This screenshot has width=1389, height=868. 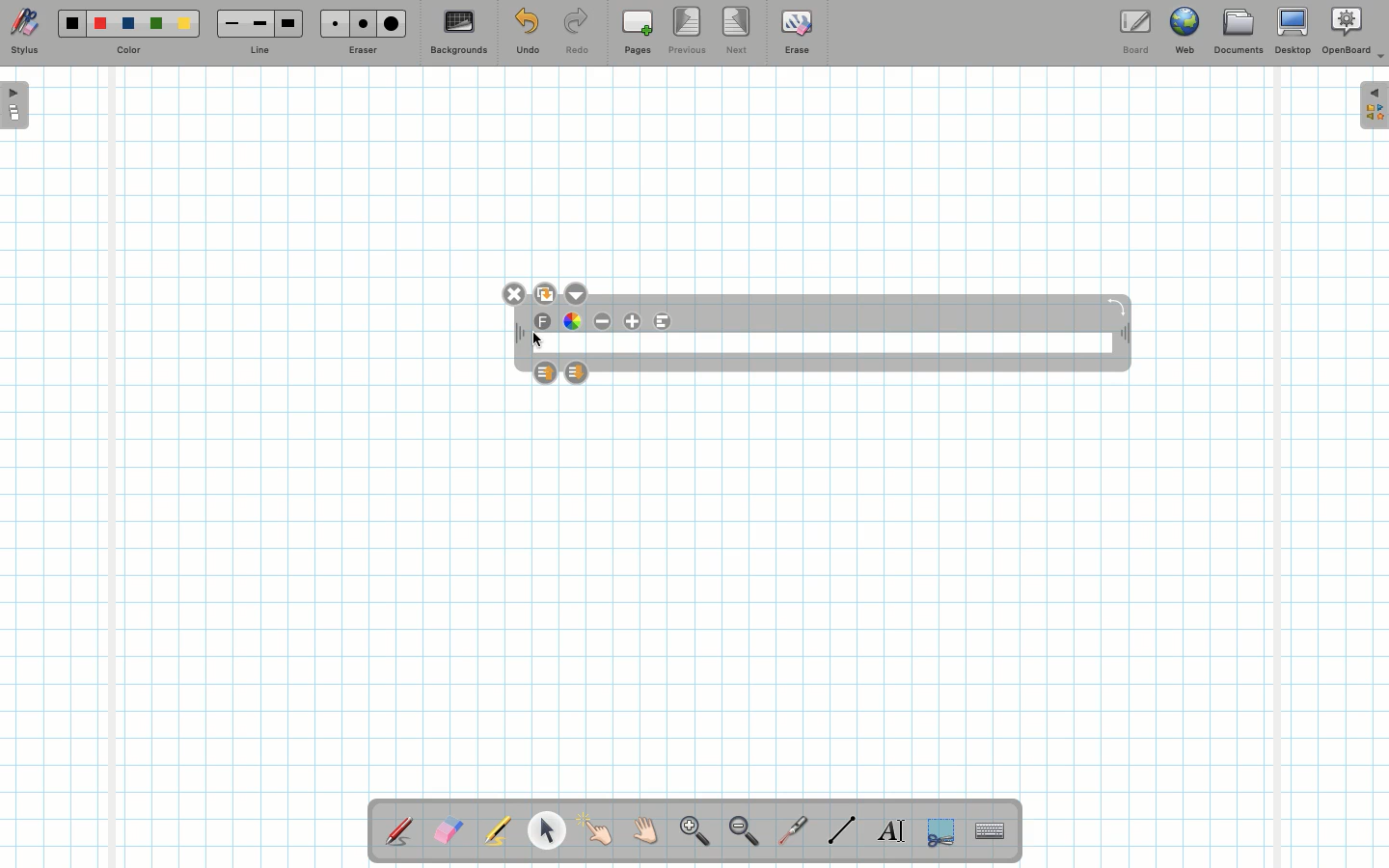 I want to click on Duplicate, so click(x=544, y=291).